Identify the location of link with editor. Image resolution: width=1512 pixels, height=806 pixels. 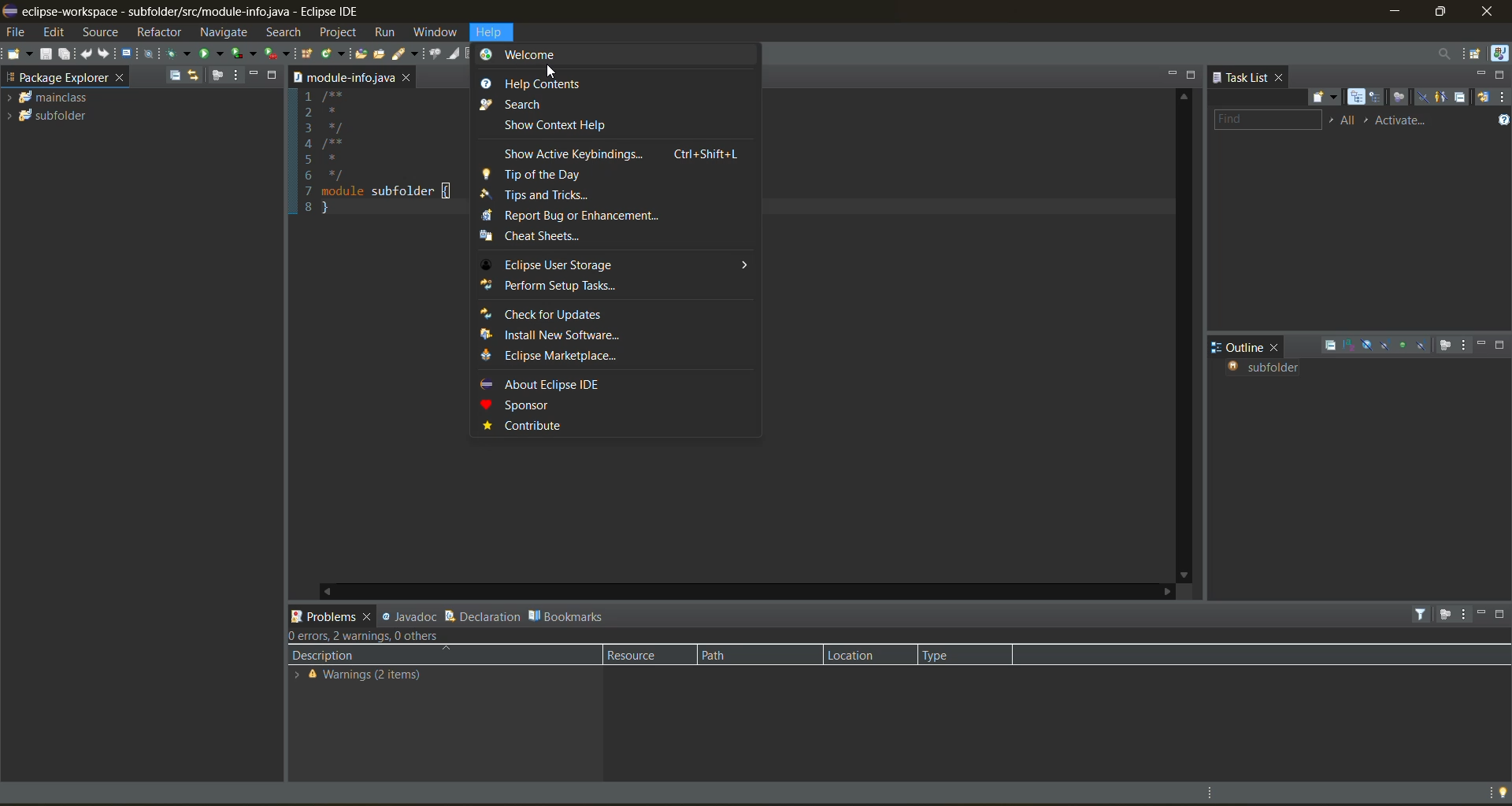
(194, 76).